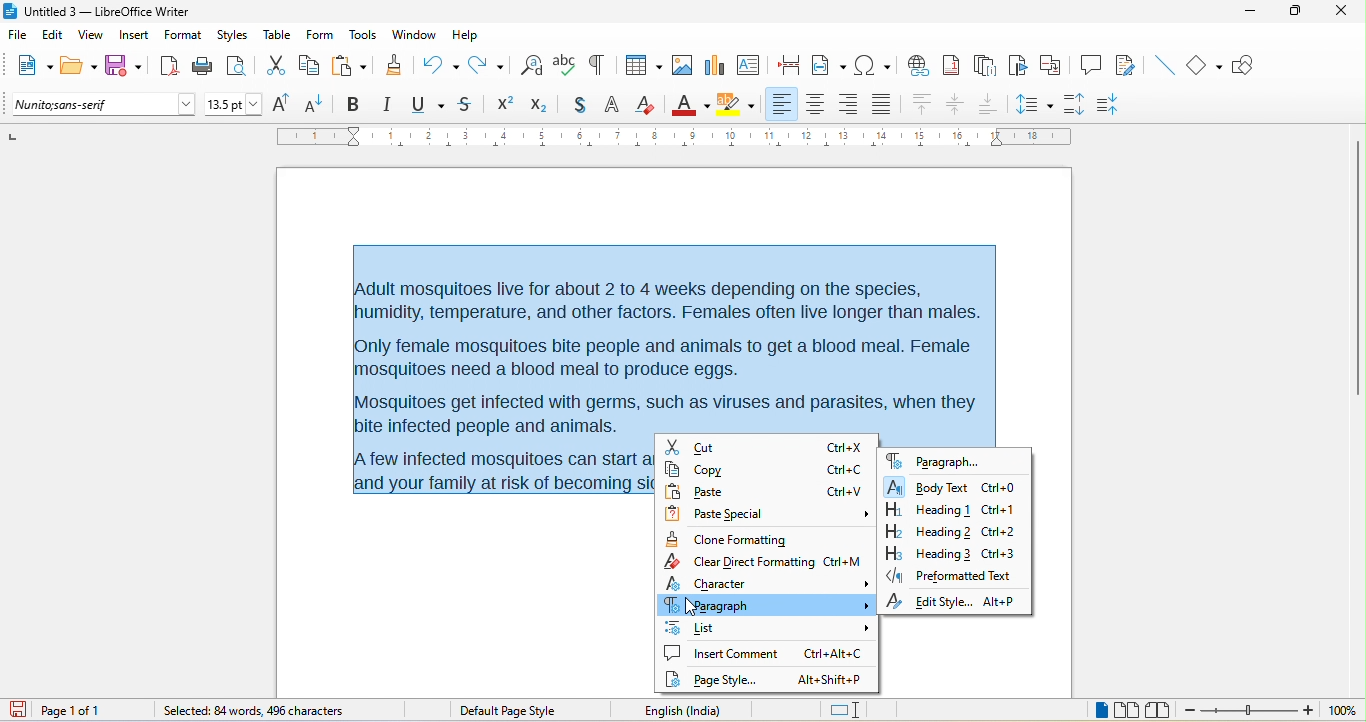  What do you see at coordinates (781, 103) in the screenshot?
I see `align left` at bounding box center [781, 103].